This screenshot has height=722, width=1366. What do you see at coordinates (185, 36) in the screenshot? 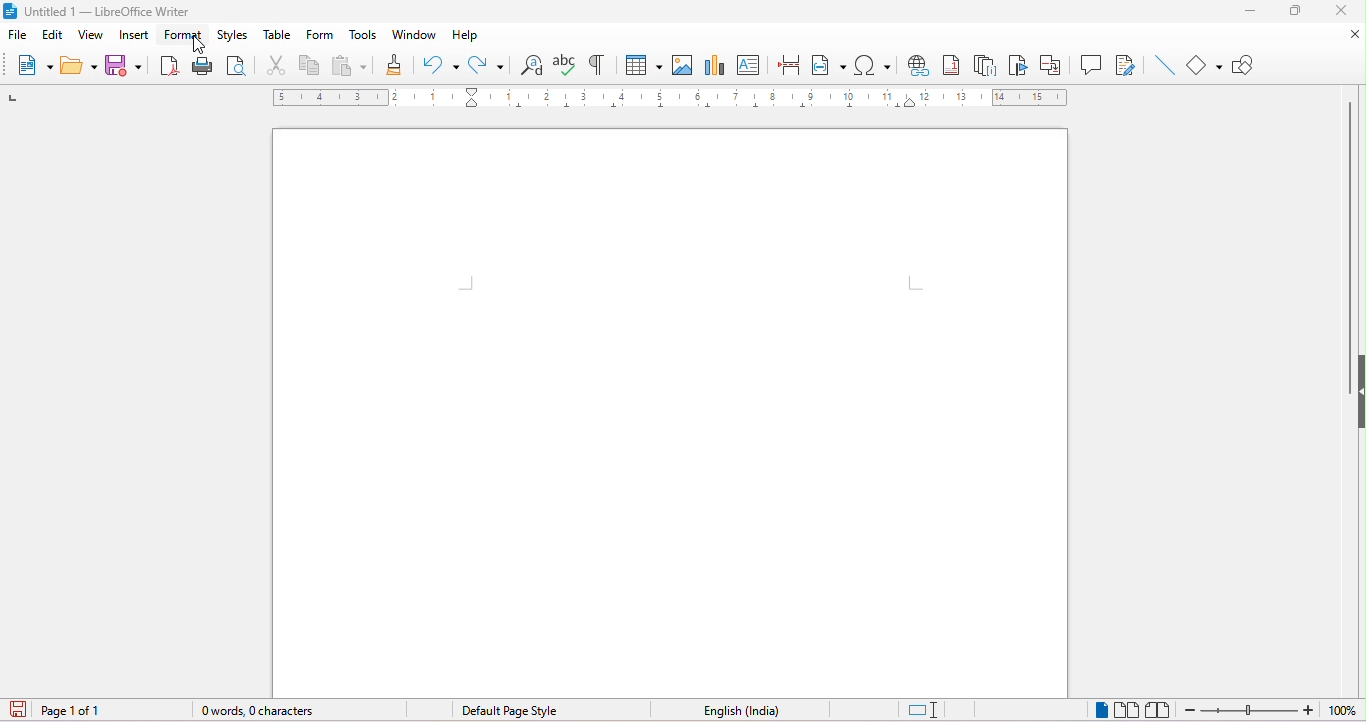
I see `format` at bounding box center [185, 36].